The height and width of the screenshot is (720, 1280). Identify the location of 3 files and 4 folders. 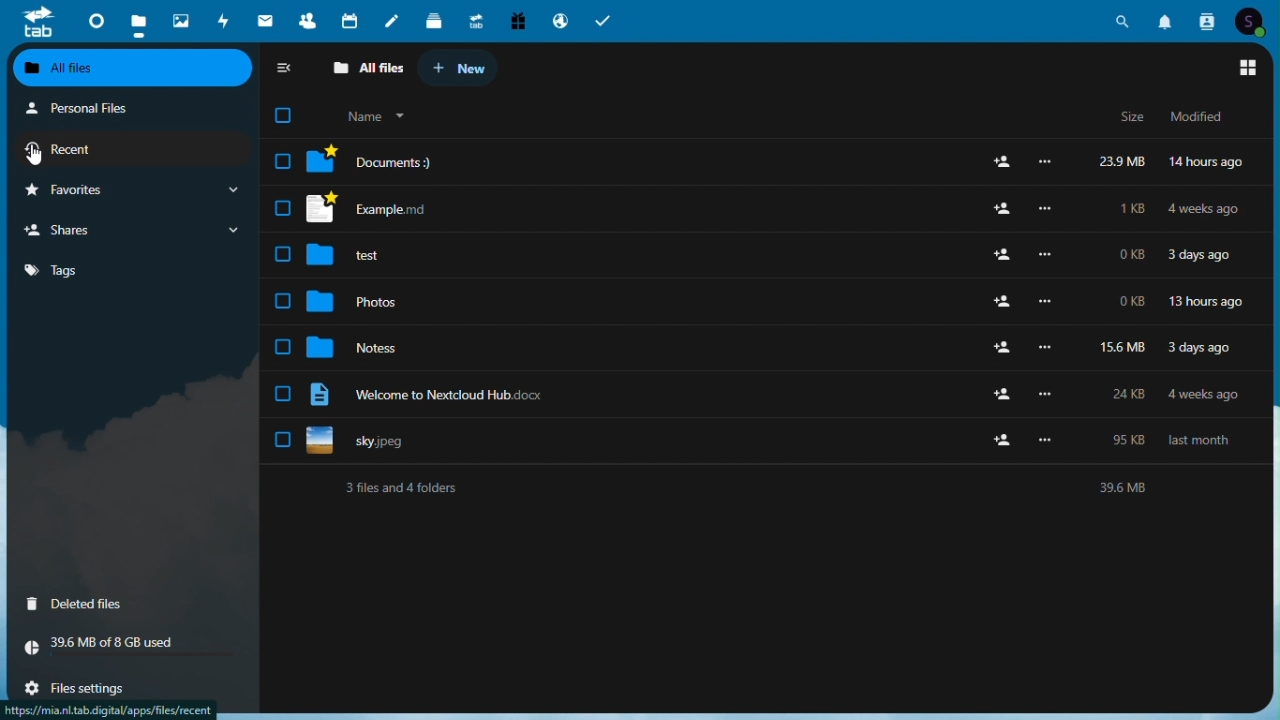
(767, 487).